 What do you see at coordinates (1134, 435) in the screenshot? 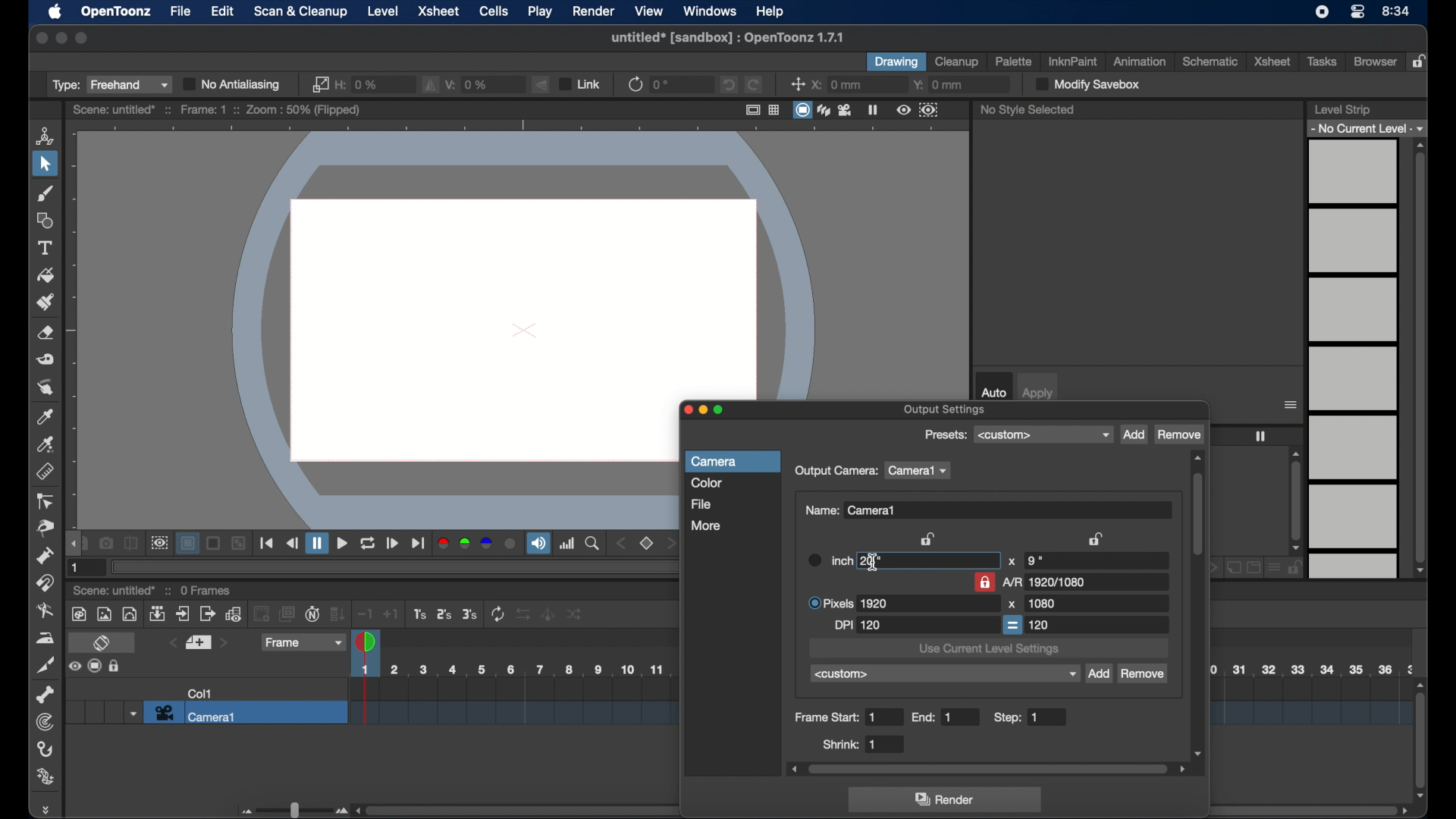
I see `add` at bounding box center [1134, 435].